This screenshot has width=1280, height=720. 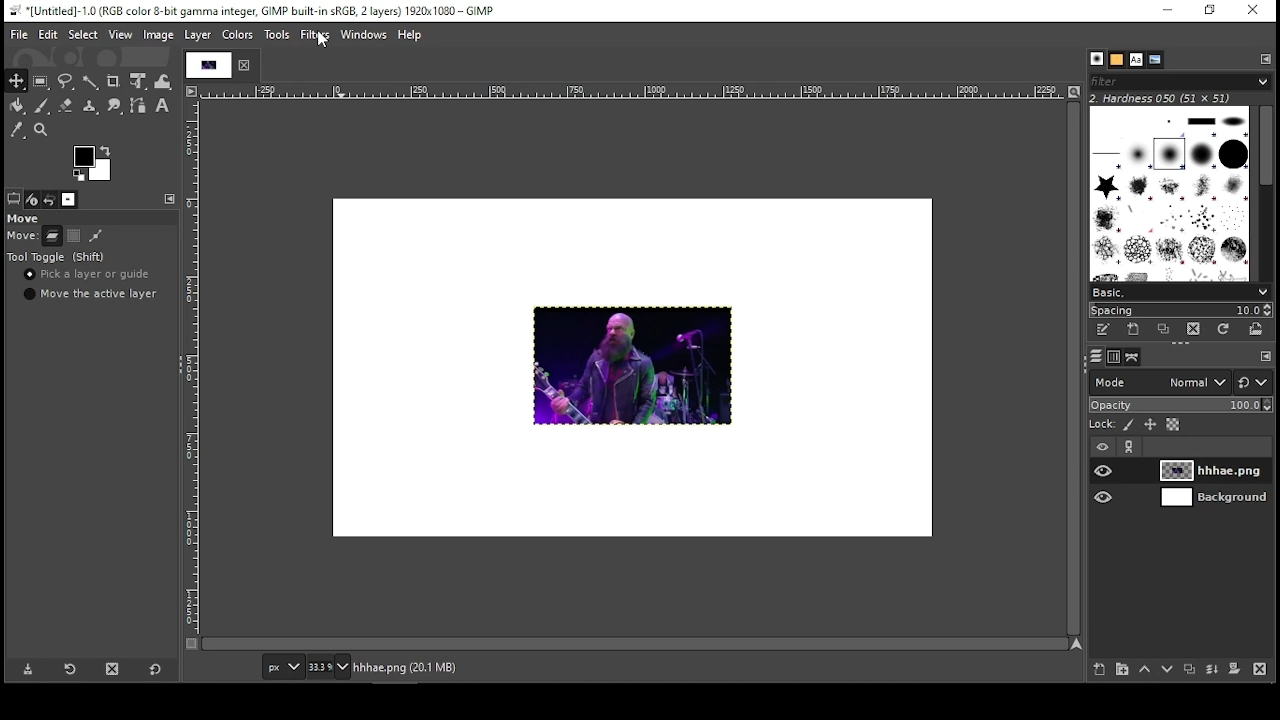 What do you see at coordinates (1215, 499) in the screenshot?
I see `layer ` at bounding box center [1215, 499].